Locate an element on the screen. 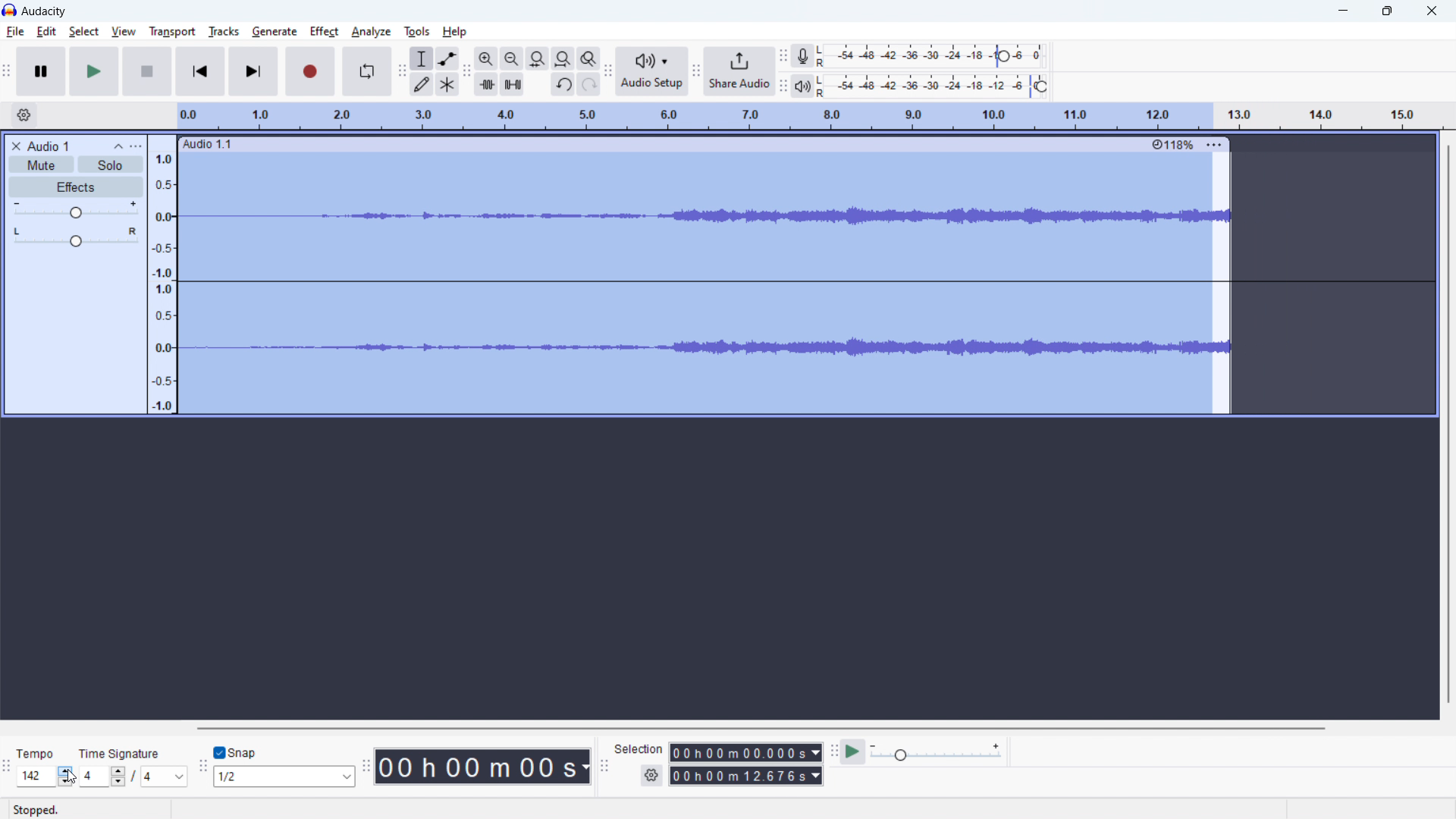  fit project to width is located at coordinates (563, 58).